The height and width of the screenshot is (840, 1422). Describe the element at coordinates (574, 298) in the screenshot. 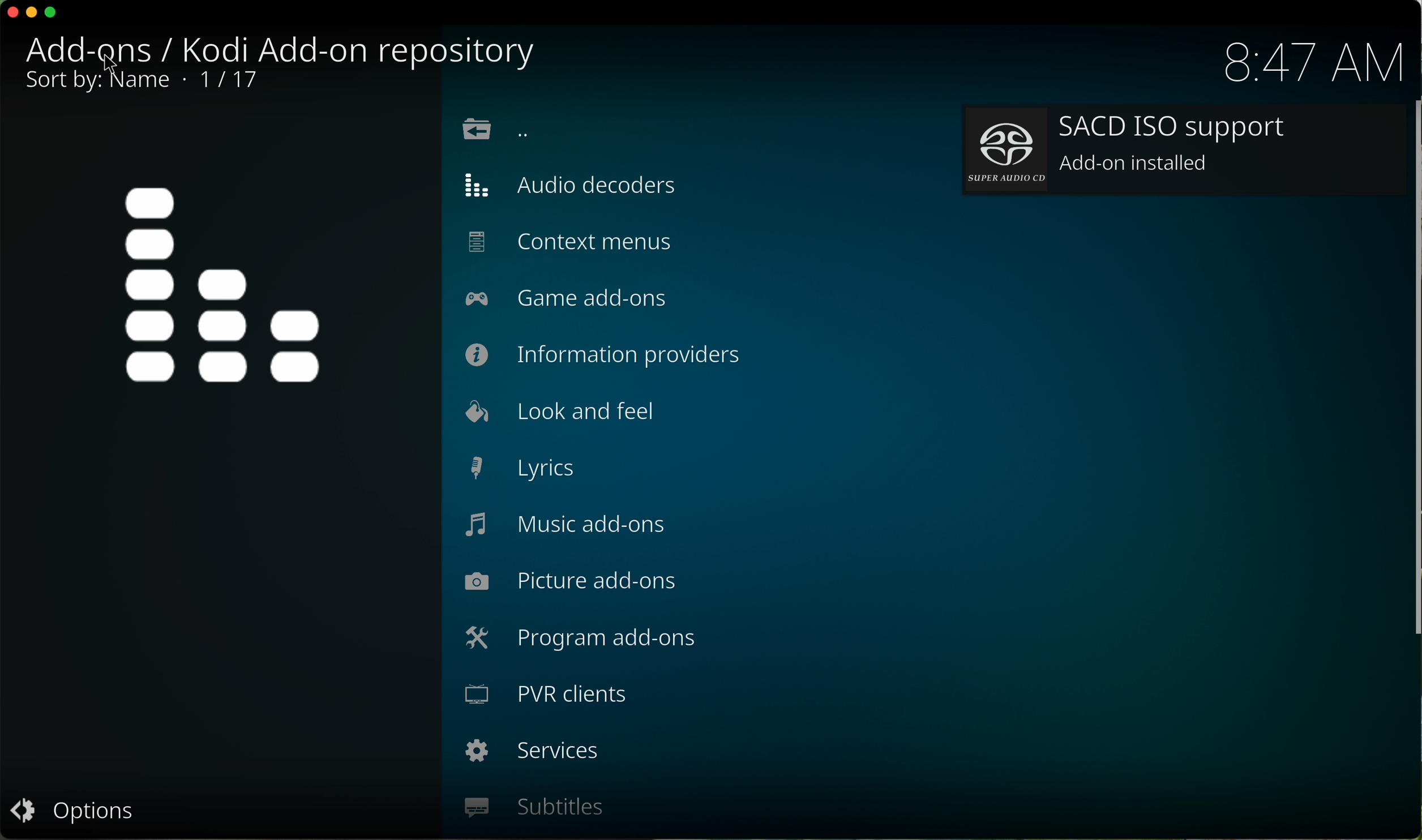

I see `game add-ons` at that location.